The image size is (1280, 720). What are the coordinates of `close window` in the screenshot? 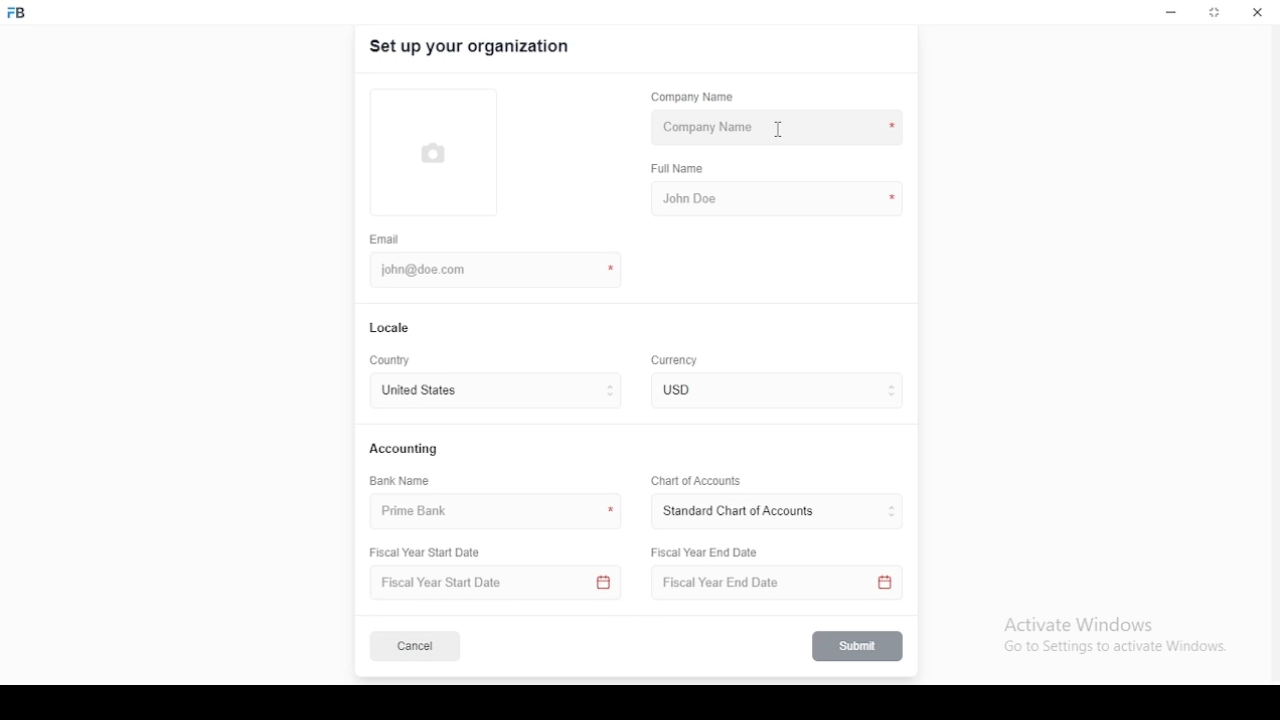 It's located at (1255, 12).